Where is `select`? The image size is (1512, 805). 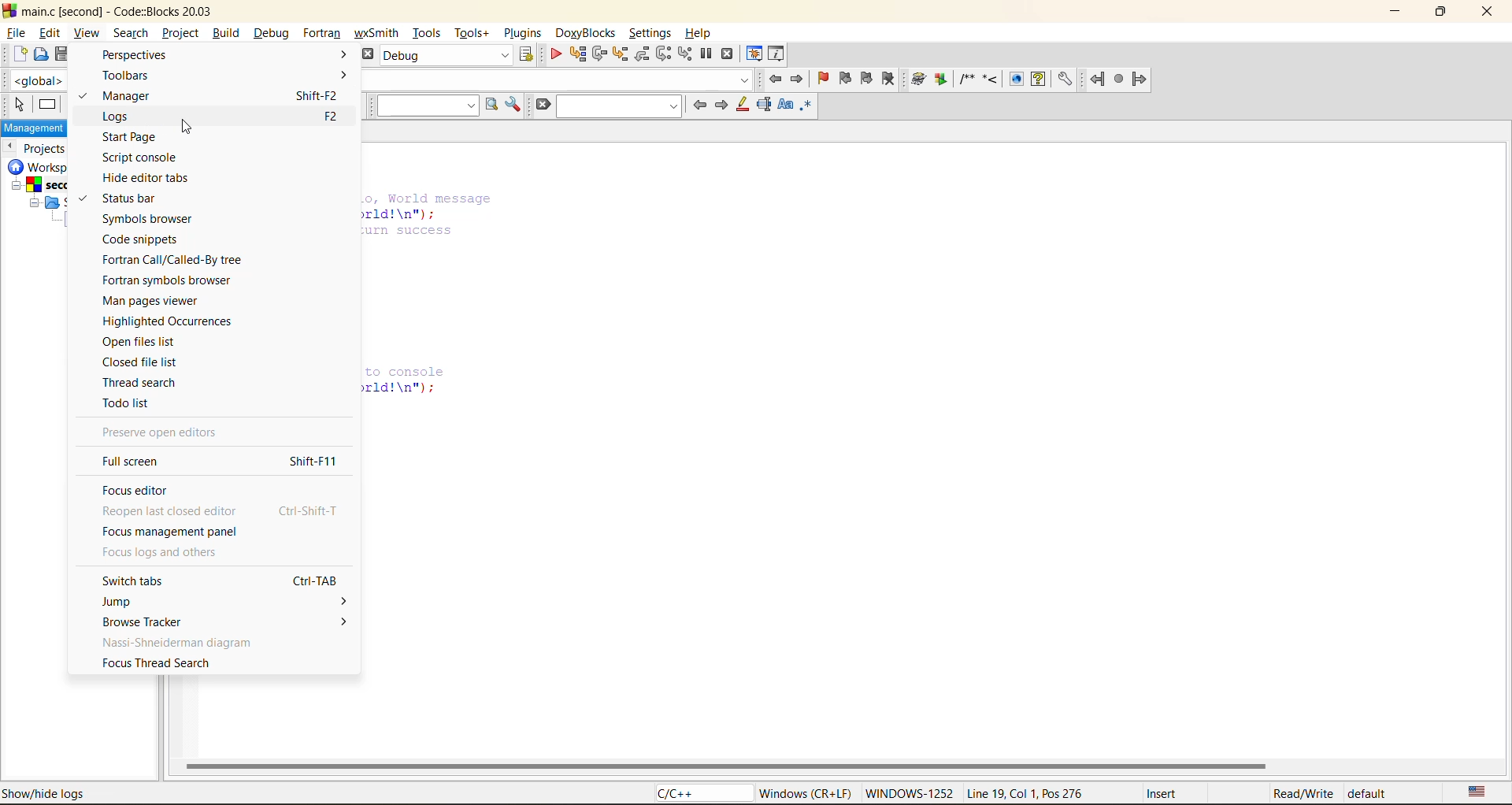
select is located at coordinates (15, 106).